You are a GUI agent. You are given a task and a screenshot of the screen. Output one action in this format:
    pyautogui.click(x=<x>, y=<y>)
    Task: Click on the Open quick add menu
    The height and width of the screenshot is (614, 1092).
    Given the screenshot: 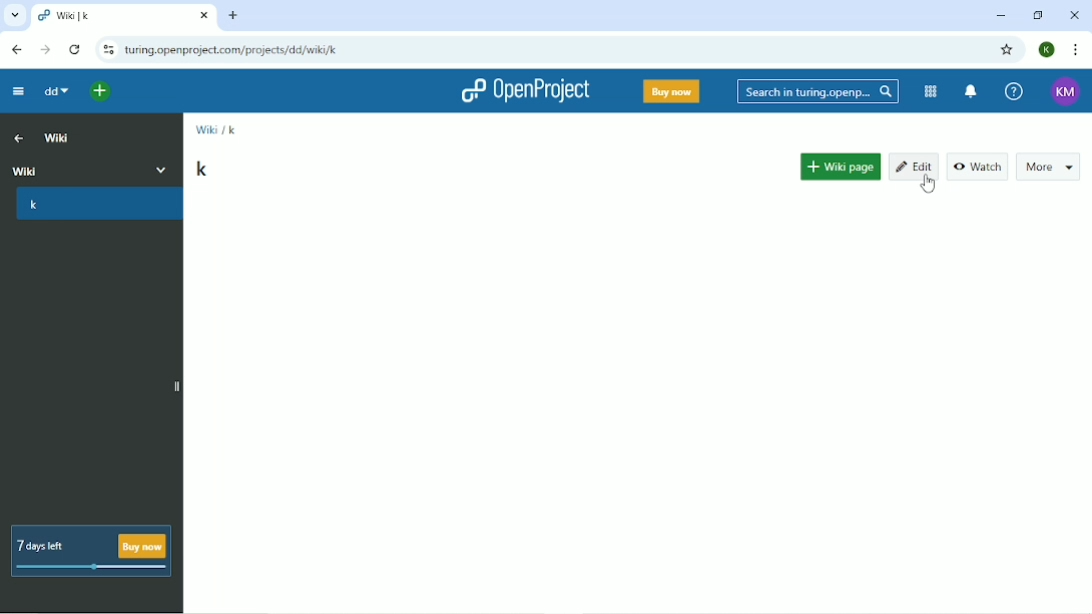 What is the action you would take?
    pyautogui.click(x=97, y=90)
    